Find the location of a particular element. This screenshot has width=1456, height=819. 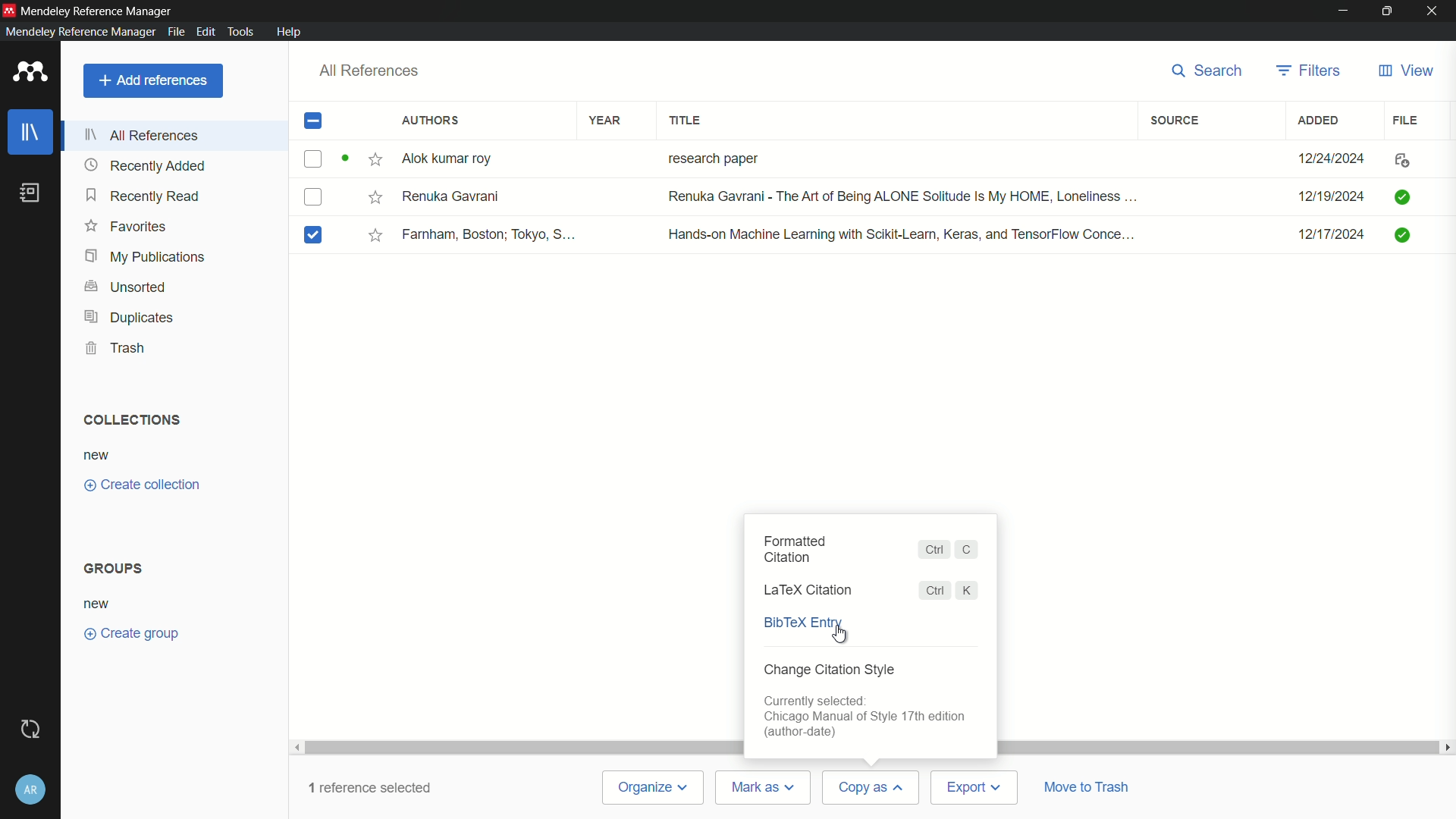

maximize is located at coordinates (1384, 11).